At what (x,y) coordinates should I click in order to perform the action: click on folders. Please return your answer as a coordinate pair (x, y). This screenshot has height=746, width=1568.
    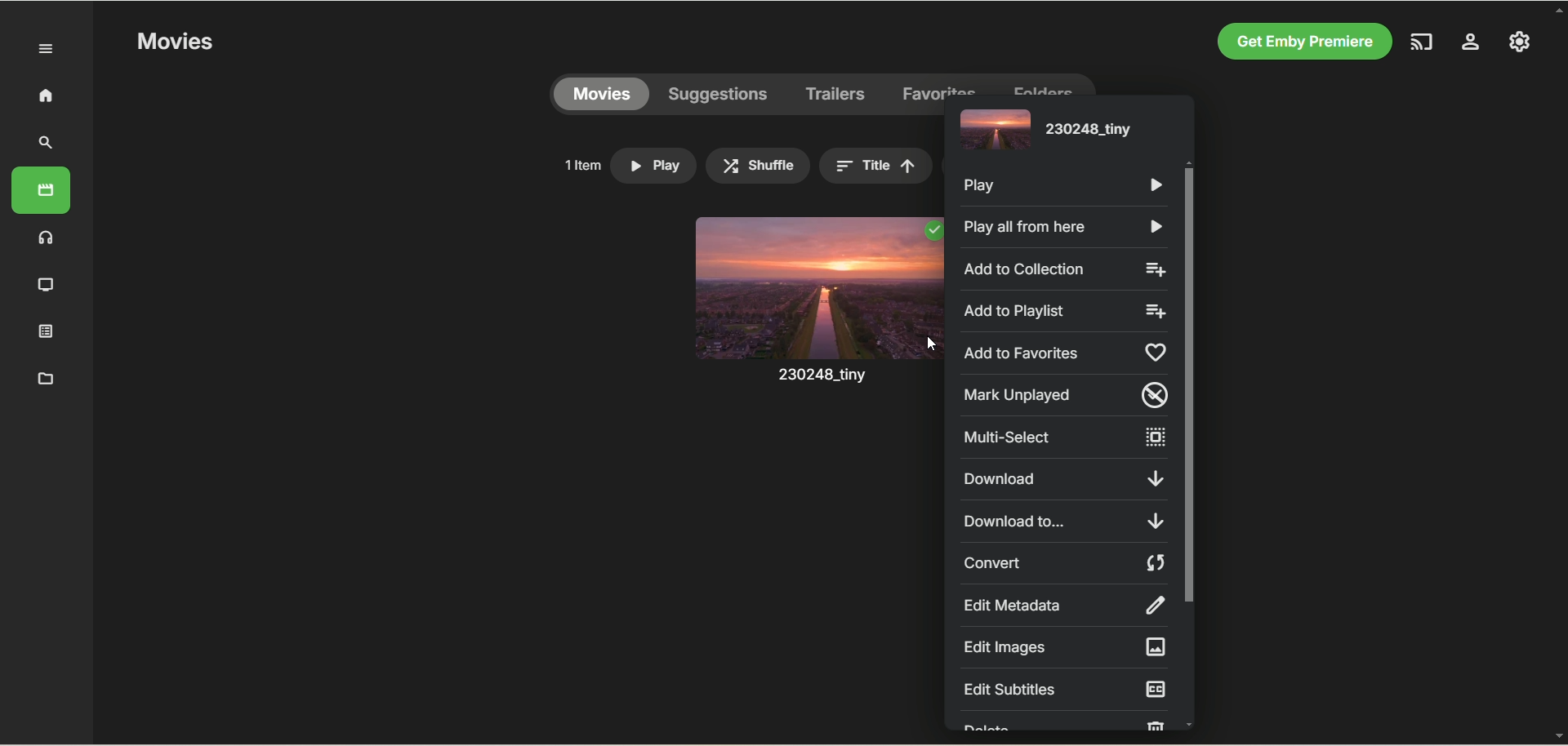
    Looking at the image, I should click on (1042, 84).